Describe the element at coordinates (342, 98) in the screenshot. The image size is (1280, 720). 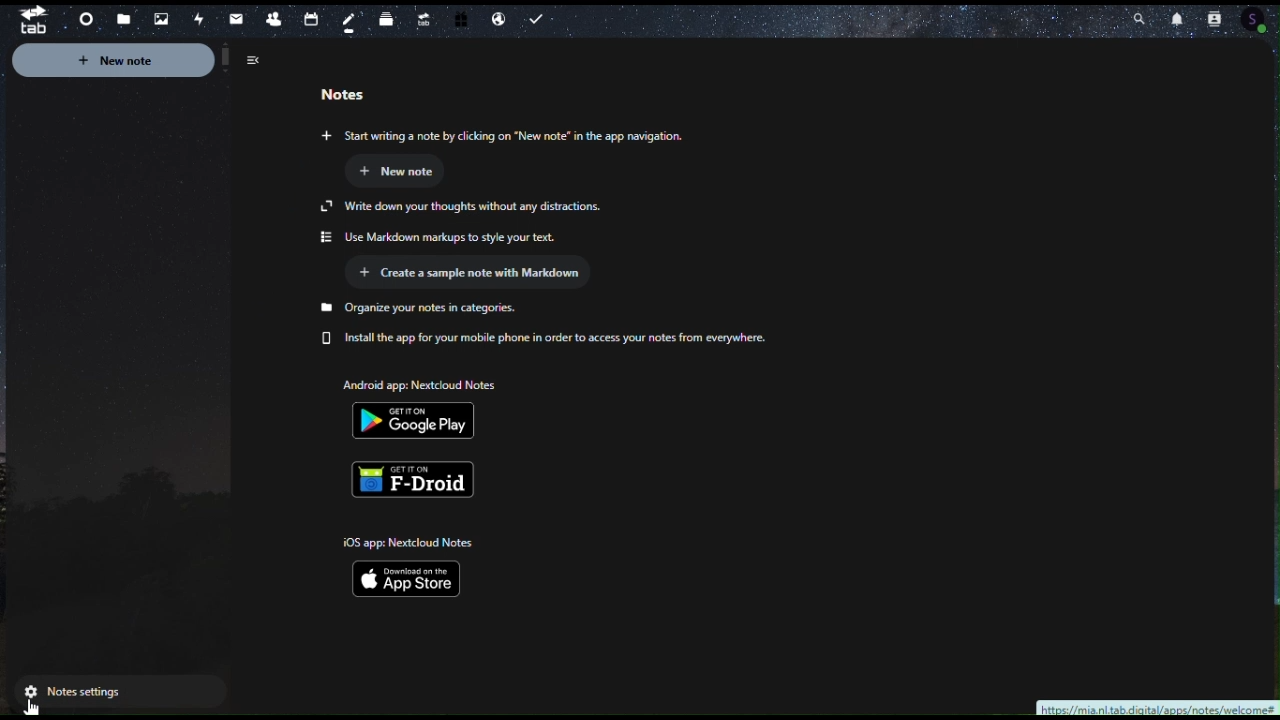
I see `Notes` at that location.